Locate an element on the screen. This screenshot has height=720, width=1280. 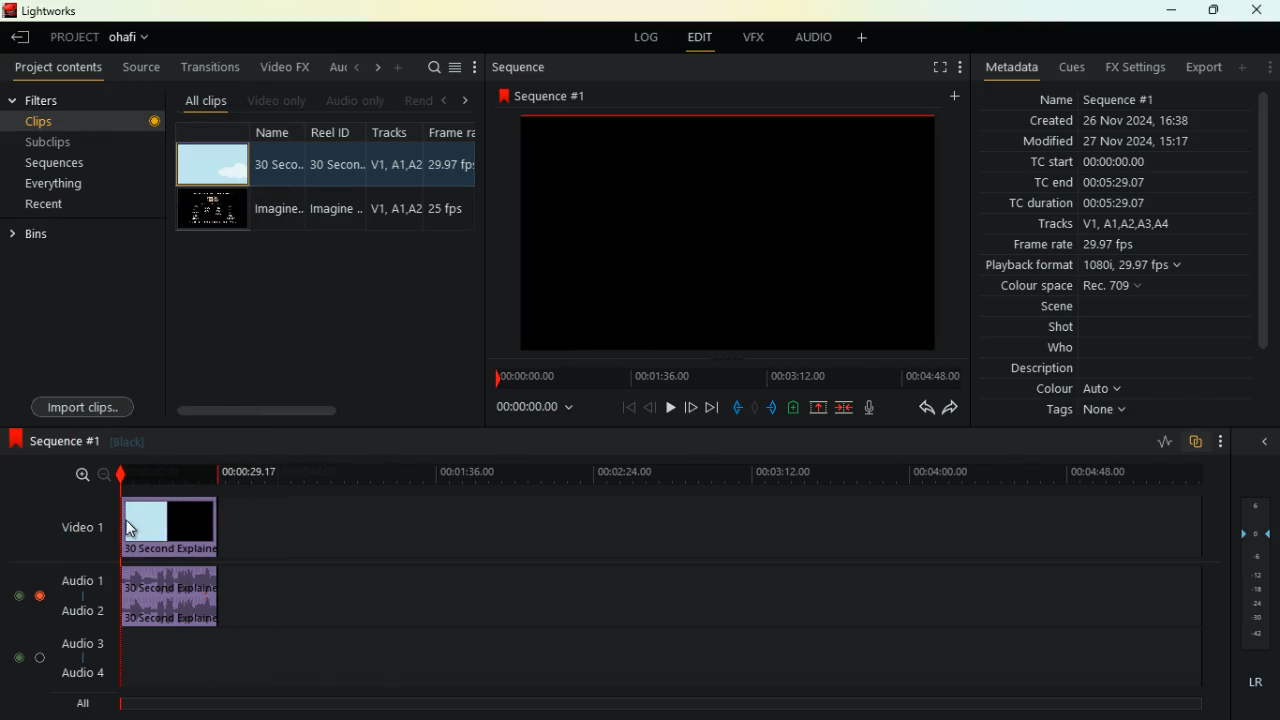
tc start is located at coordinates (1112, 161).